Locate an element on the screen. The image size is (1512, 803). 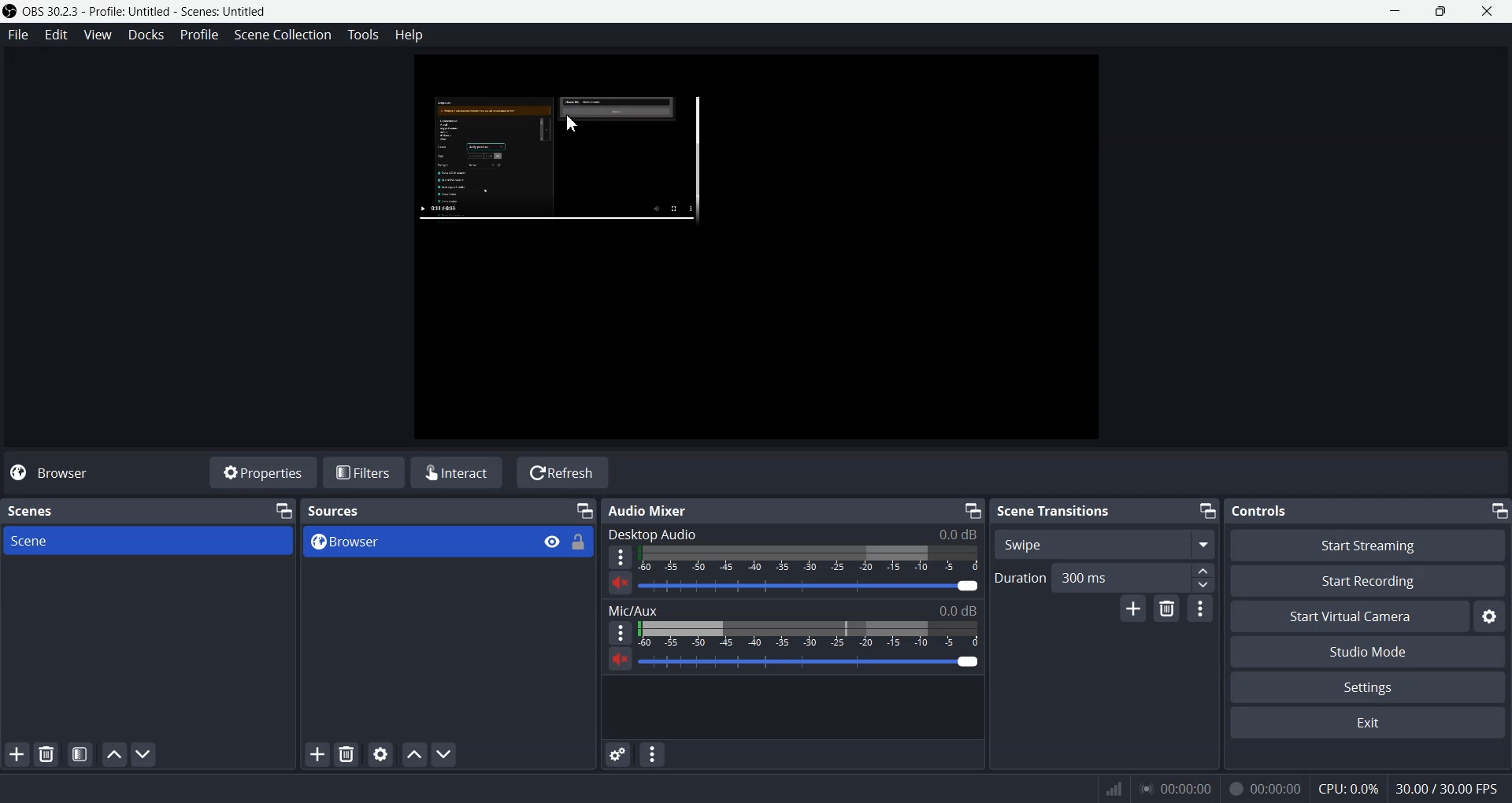
View is located at coordinates (101, 34).